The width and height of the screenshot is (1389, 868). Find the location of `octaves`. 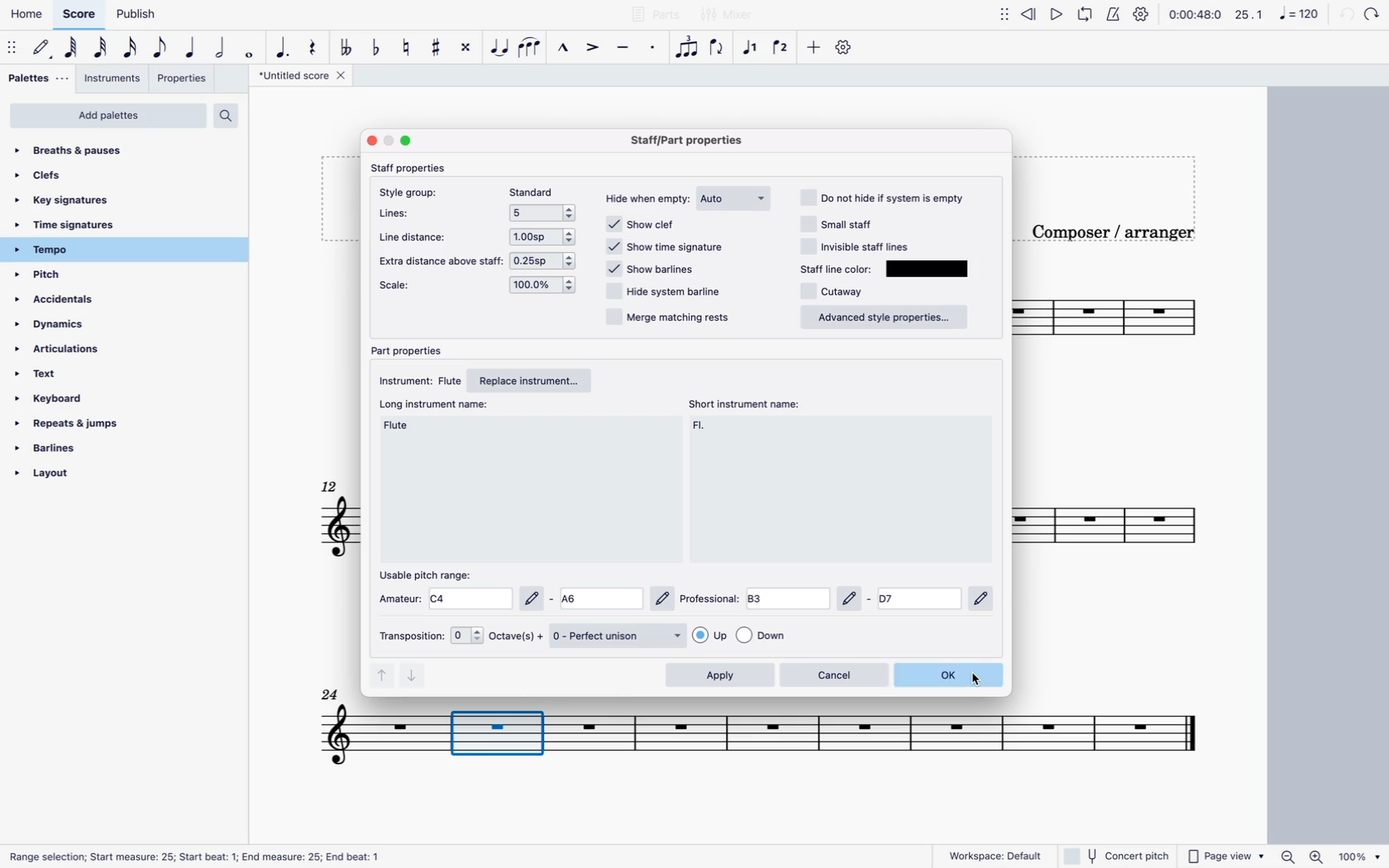

octaves is located at coordinates (517, 637).